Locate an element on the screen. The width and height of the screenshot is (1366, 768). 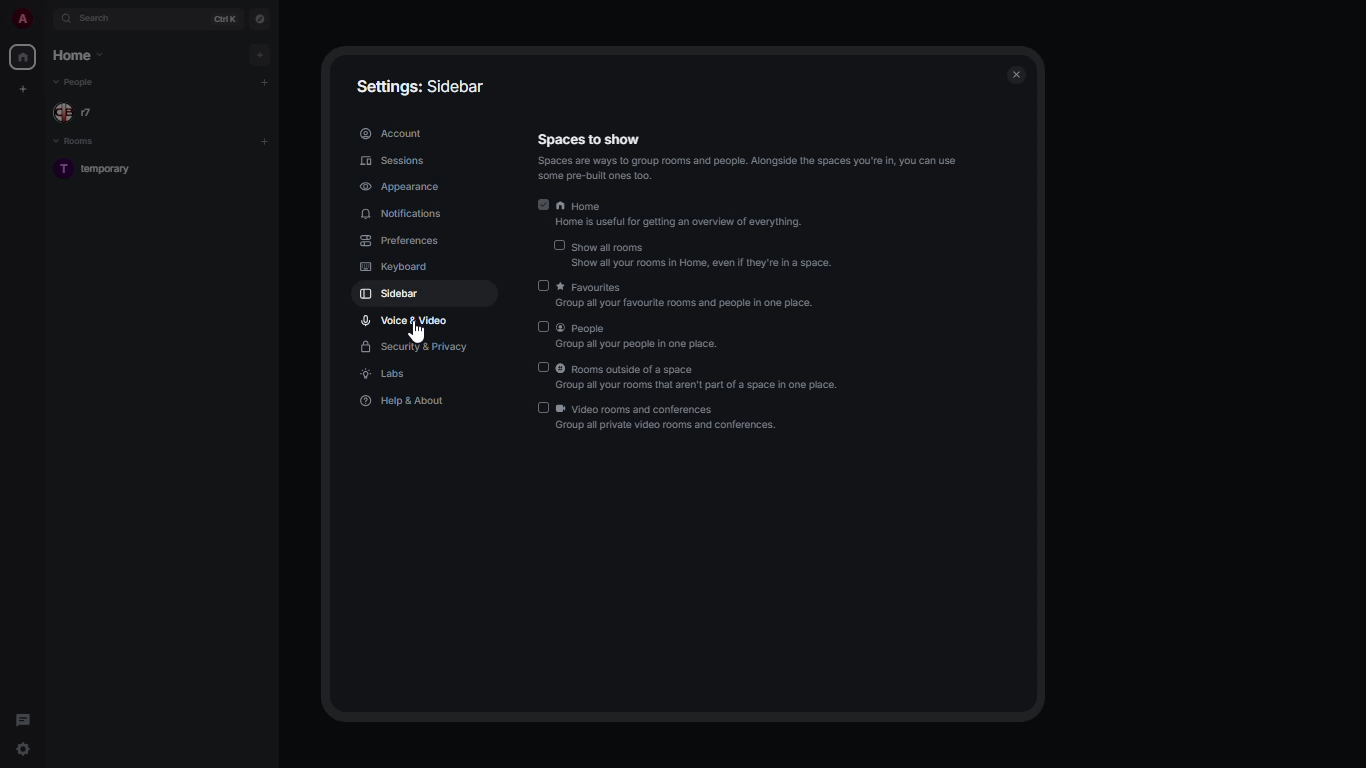
navigator is located at coordinates (260, 19).